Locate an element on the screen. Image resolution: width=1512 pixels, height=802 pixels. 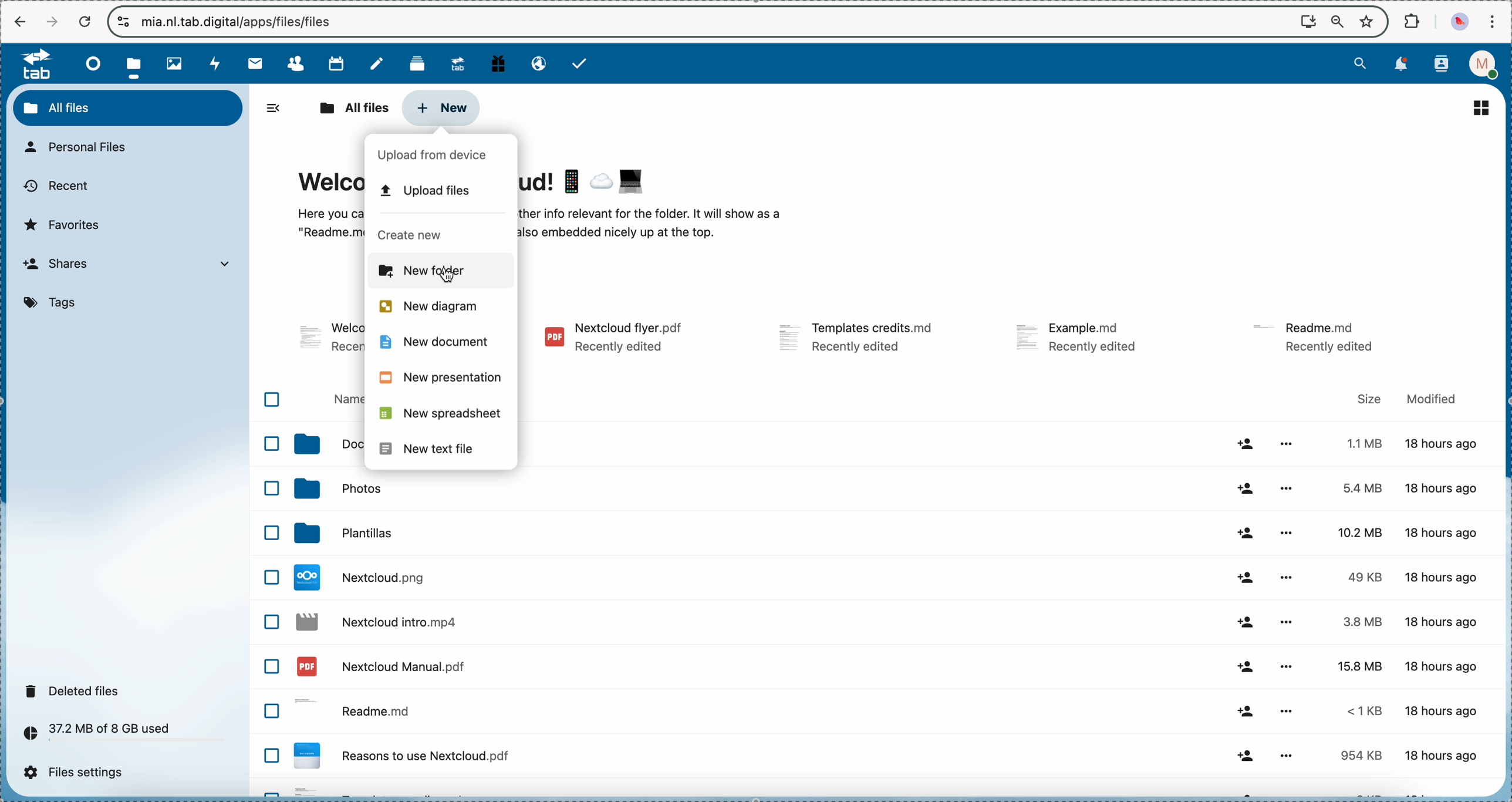
share is located at coordinates (1245, 443).